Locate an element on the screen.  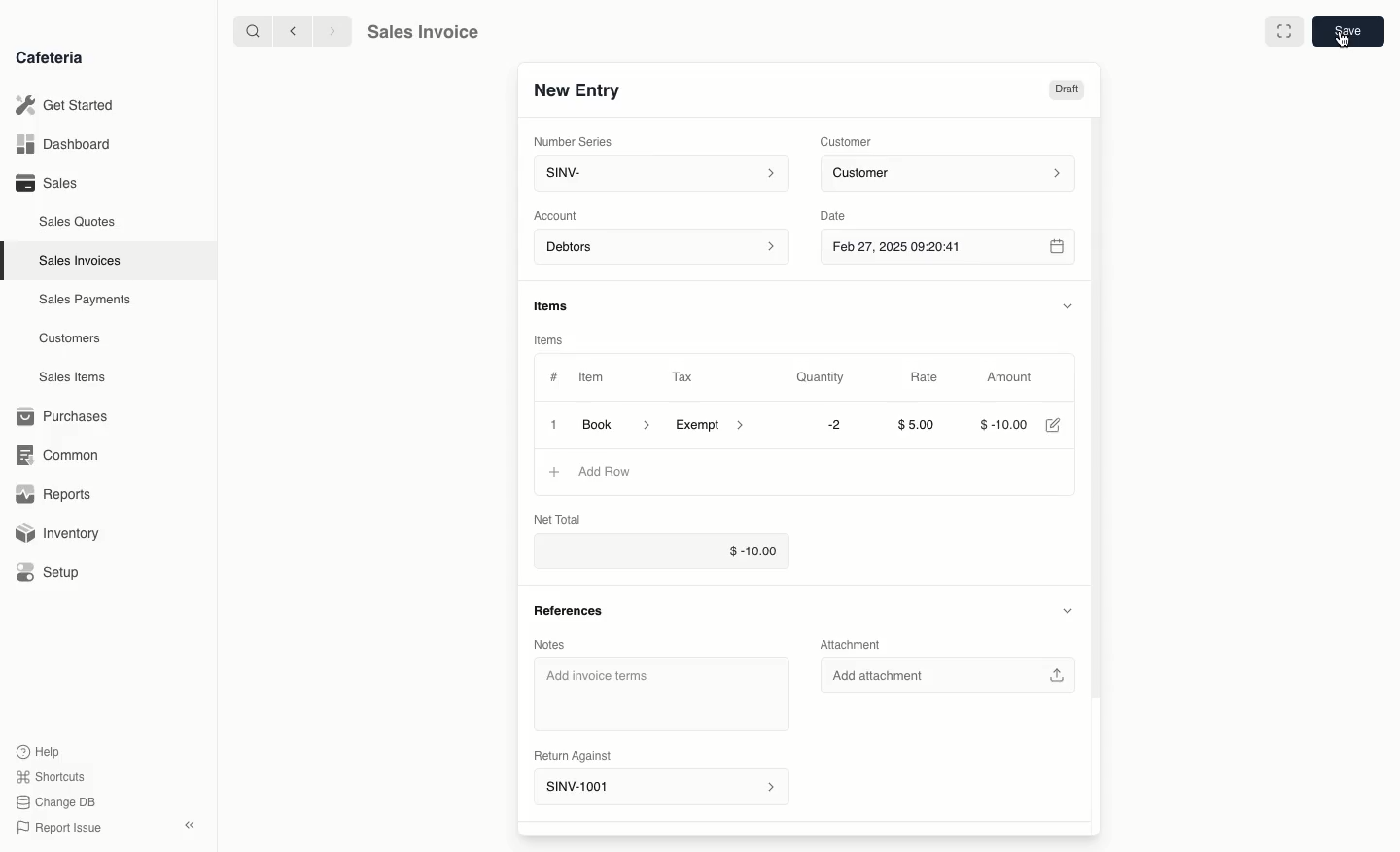
Account is located at coordinates (561, 216).